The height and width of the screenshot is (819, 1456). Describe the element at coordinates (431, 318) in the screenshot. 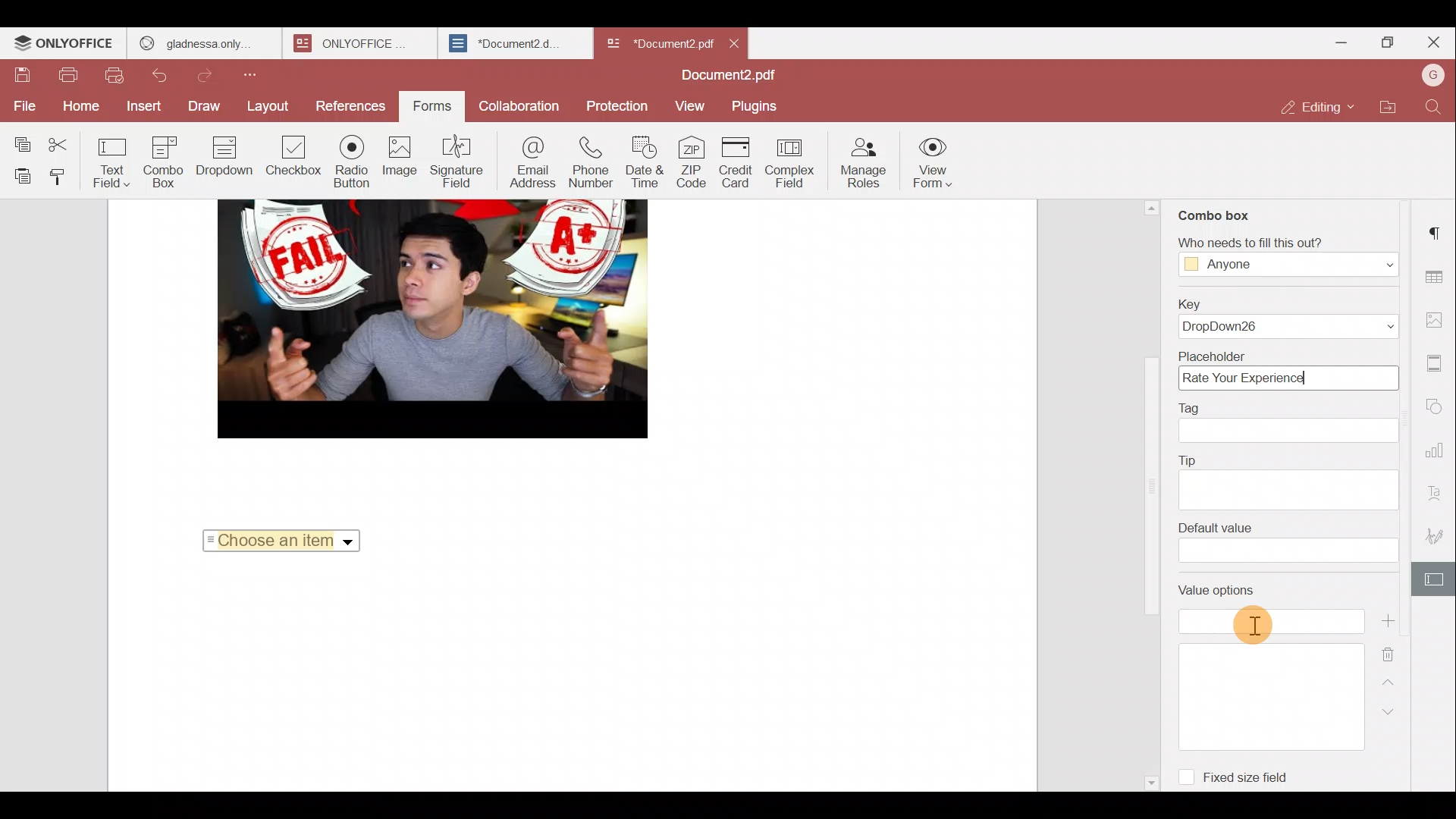

I see `image` at that location.